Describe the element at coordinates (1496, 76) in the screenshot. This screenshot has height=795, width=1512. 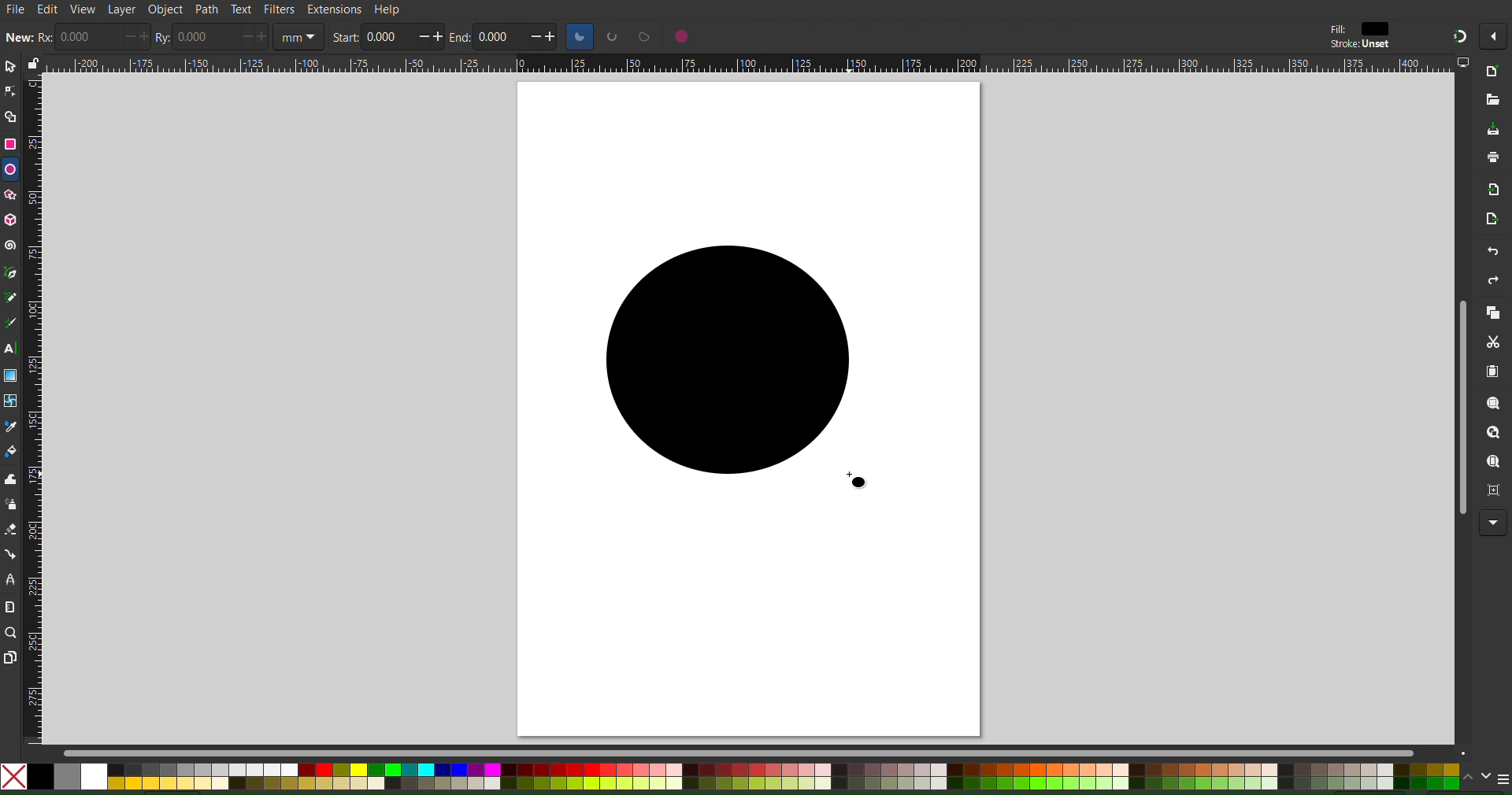
I see `New` at that location.